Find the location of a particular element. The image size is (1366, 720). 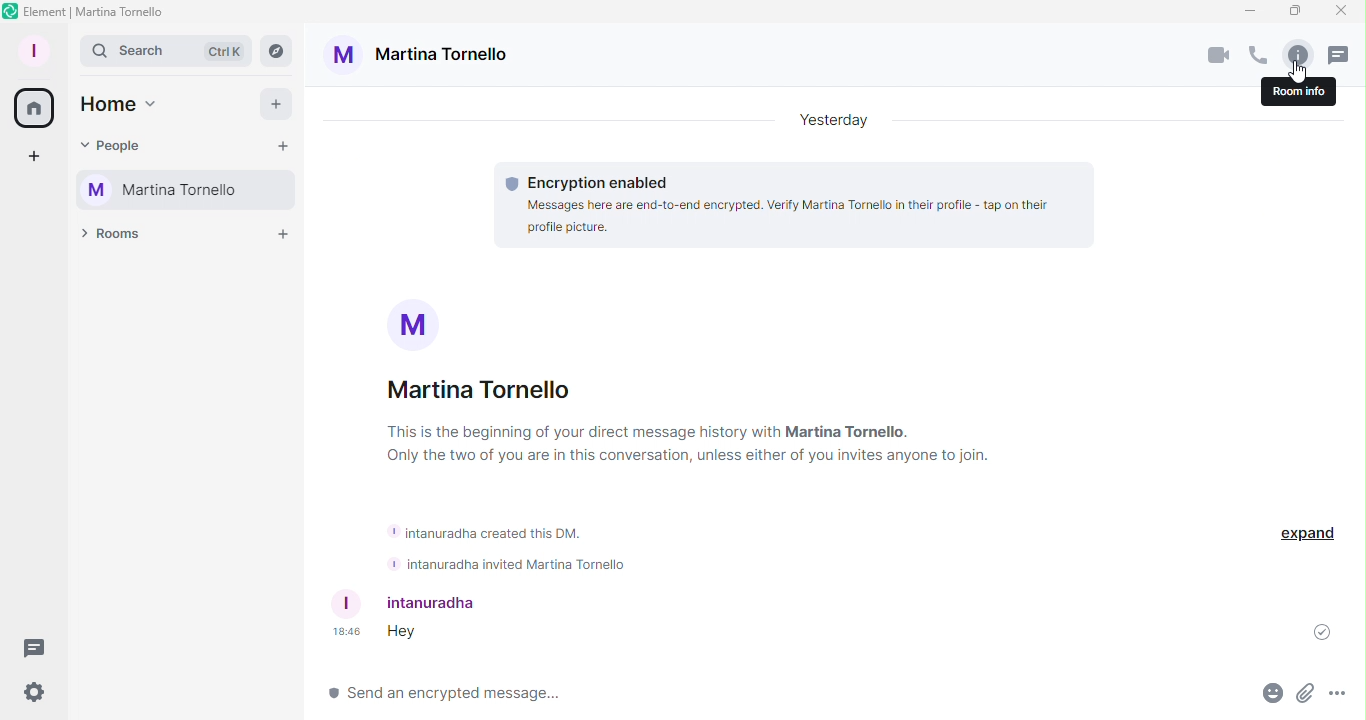

Martina Tornello is located at coordinates (180, 187).